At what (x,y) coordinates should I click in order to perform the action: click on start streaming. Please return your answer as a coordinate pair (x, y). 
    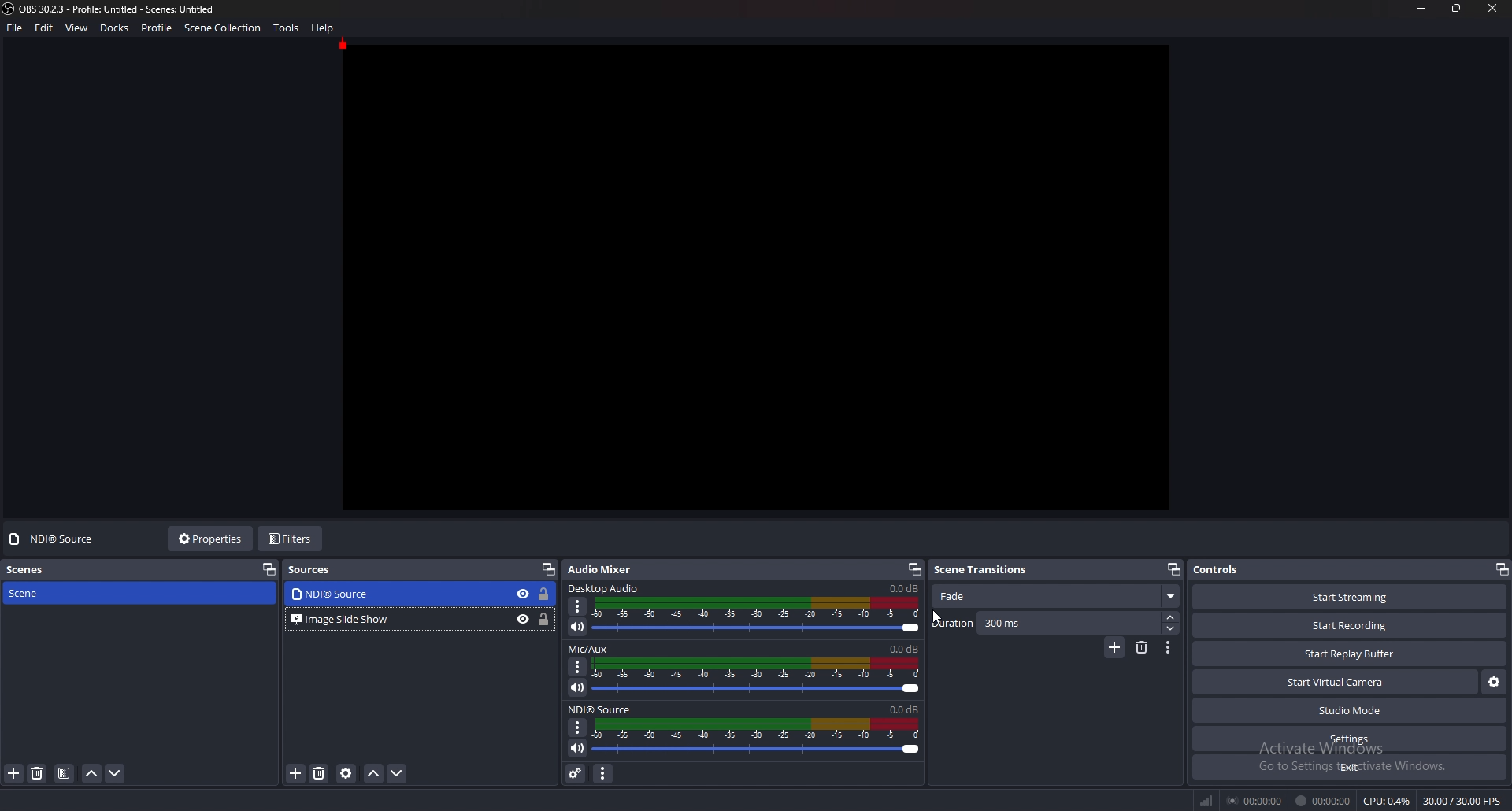
    Looking at the image, I should click on (1350, 598).